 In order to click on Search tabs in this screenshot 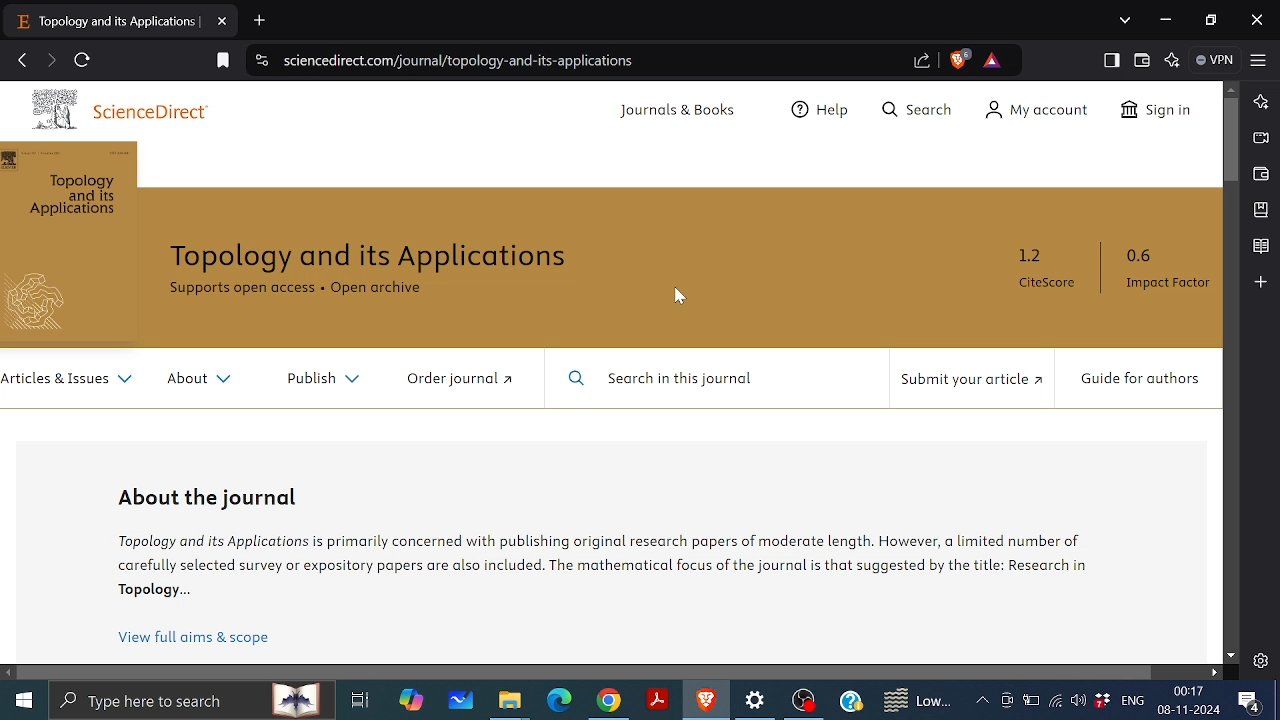, I will do `click(1127, 21)`.